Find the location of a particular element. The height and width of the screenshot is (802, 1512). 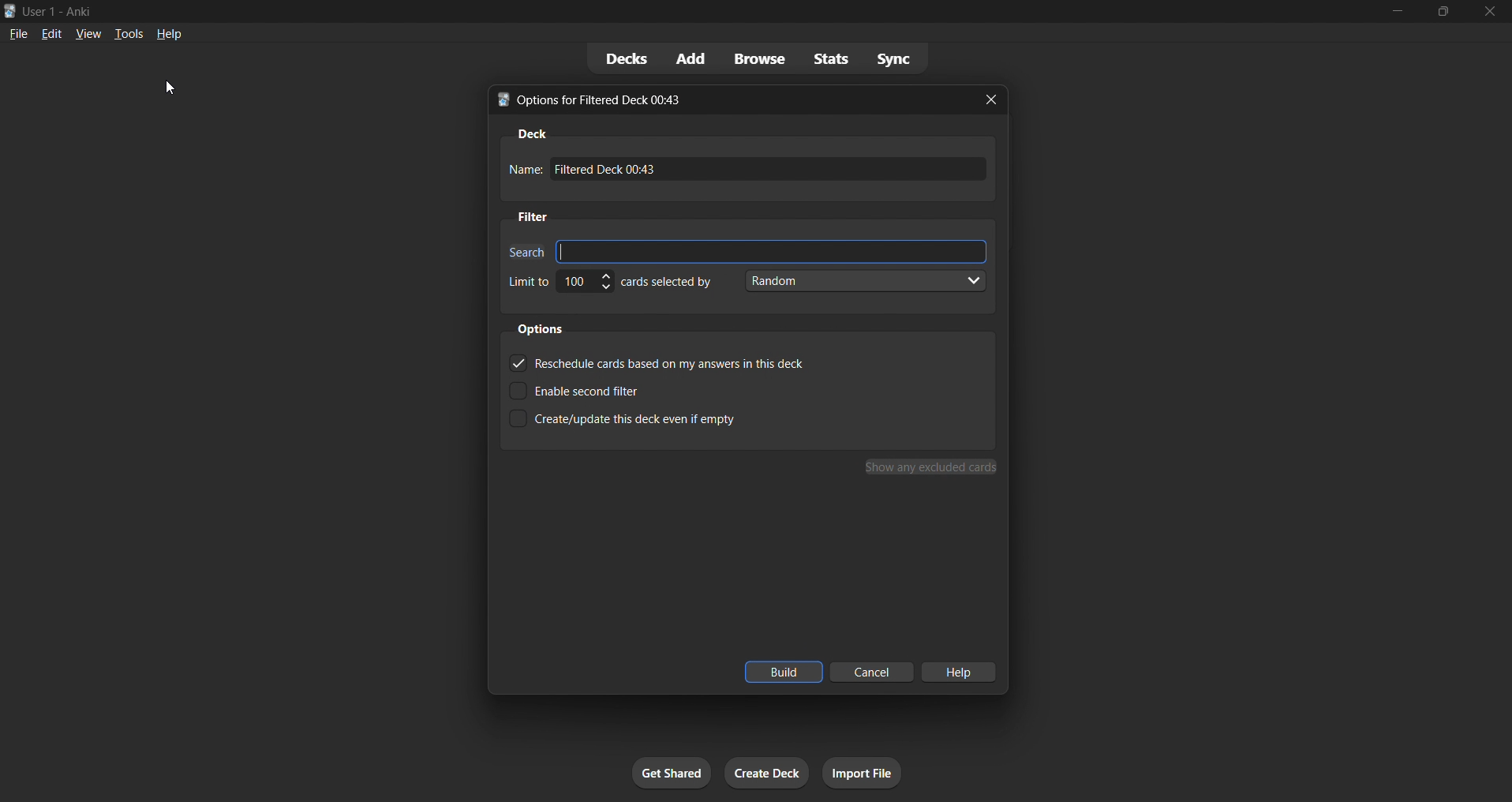

show any excluded cards is located at coordinates (930, 468).